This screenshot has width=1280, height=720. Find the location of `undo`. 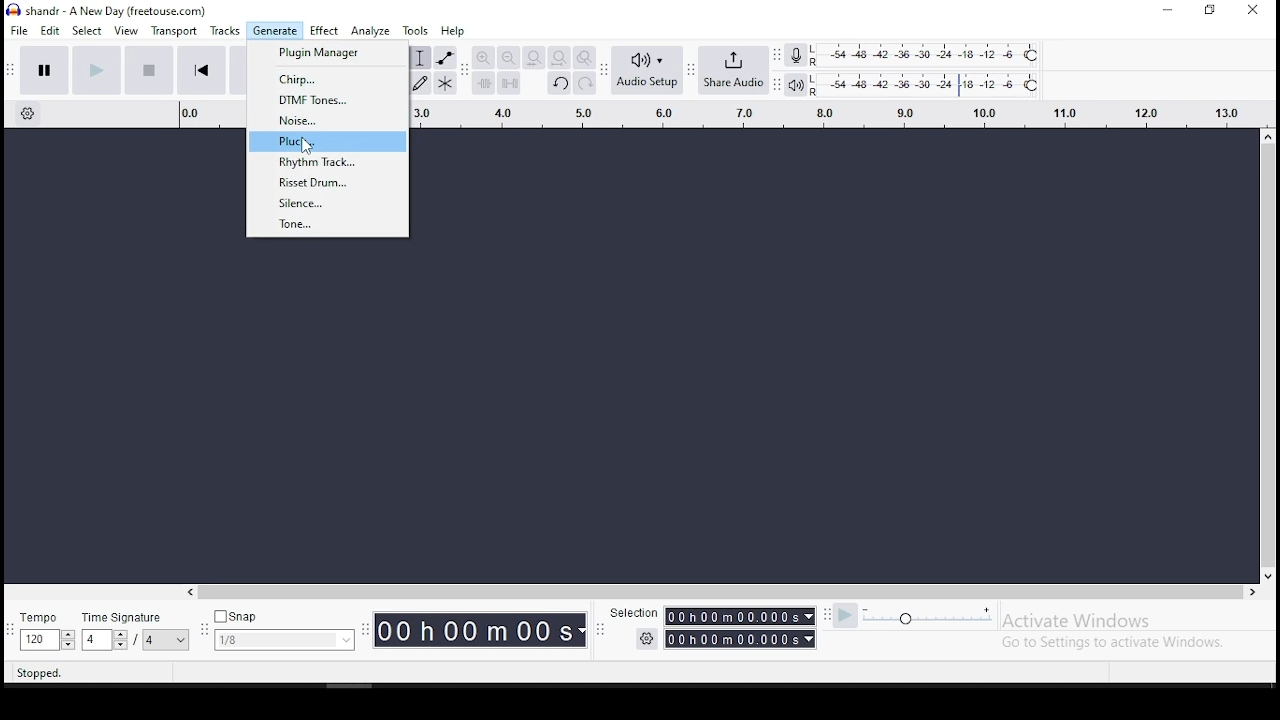

undo is located at coordinates (559, 83).